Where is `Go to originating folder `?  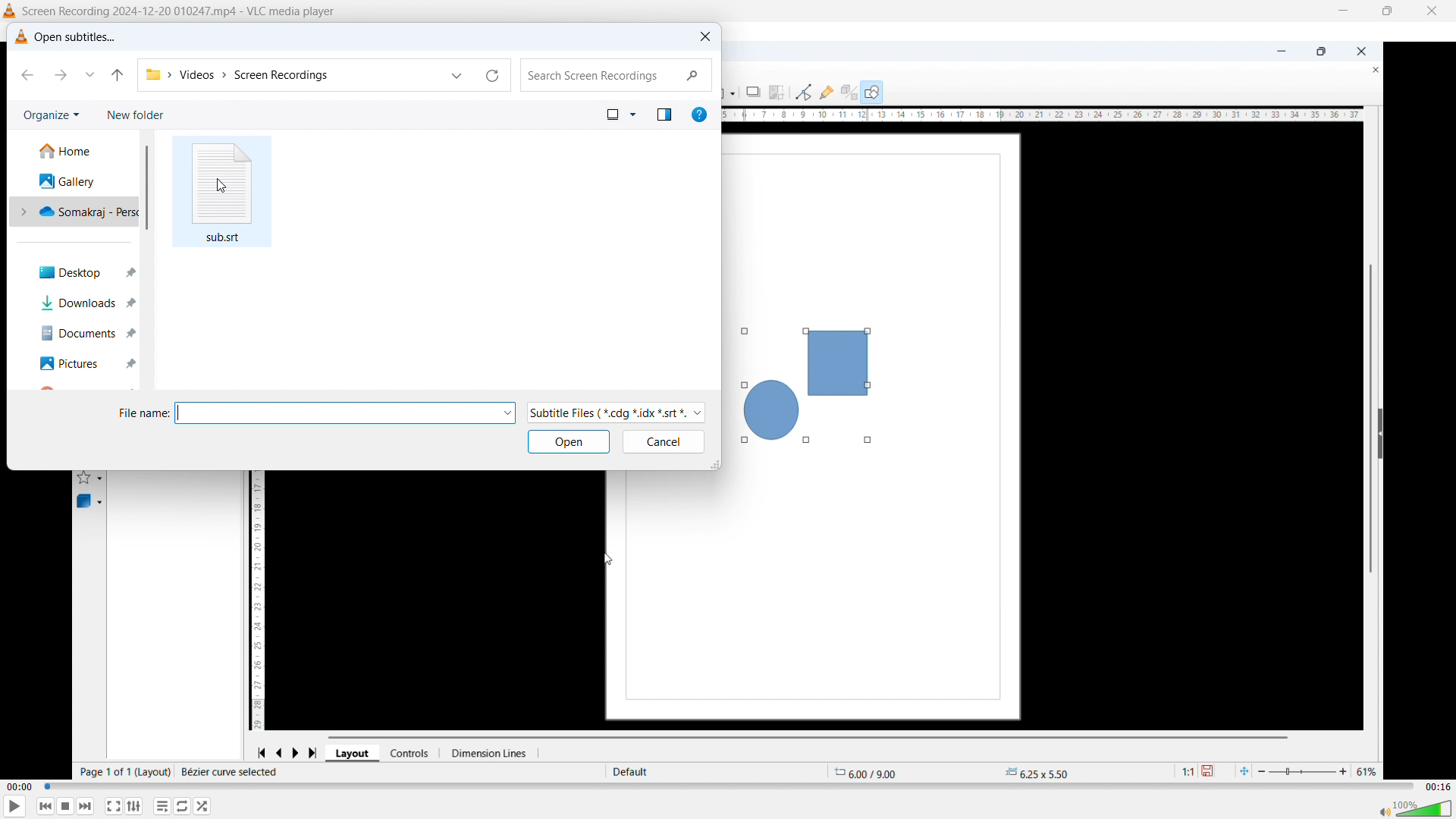
Go to originating folder  is located at coordinates (117, 74).